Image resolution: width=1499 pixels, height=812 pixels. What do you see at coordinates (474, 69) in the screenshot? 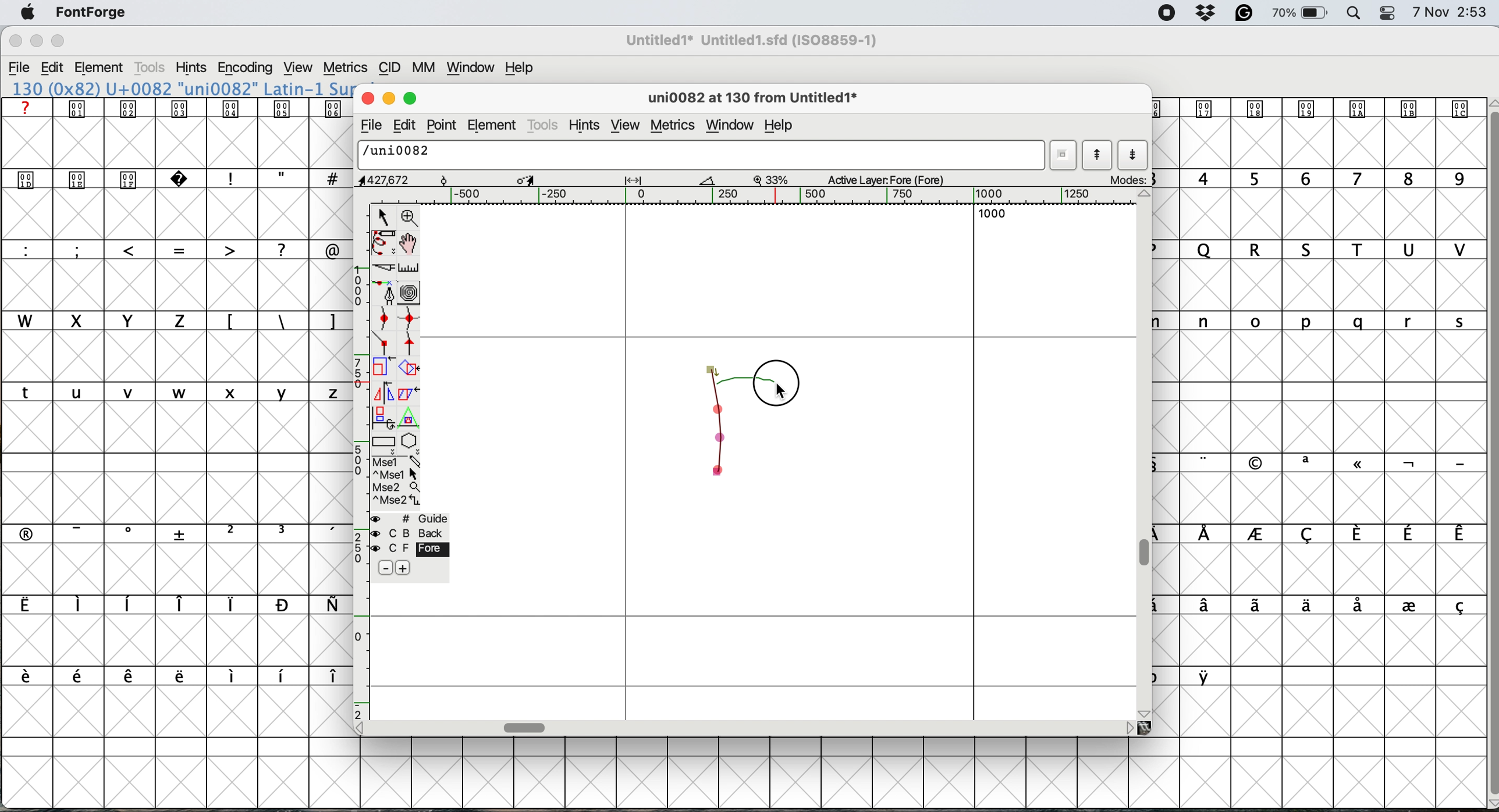
I see `window` at bounding box center [474, 69].